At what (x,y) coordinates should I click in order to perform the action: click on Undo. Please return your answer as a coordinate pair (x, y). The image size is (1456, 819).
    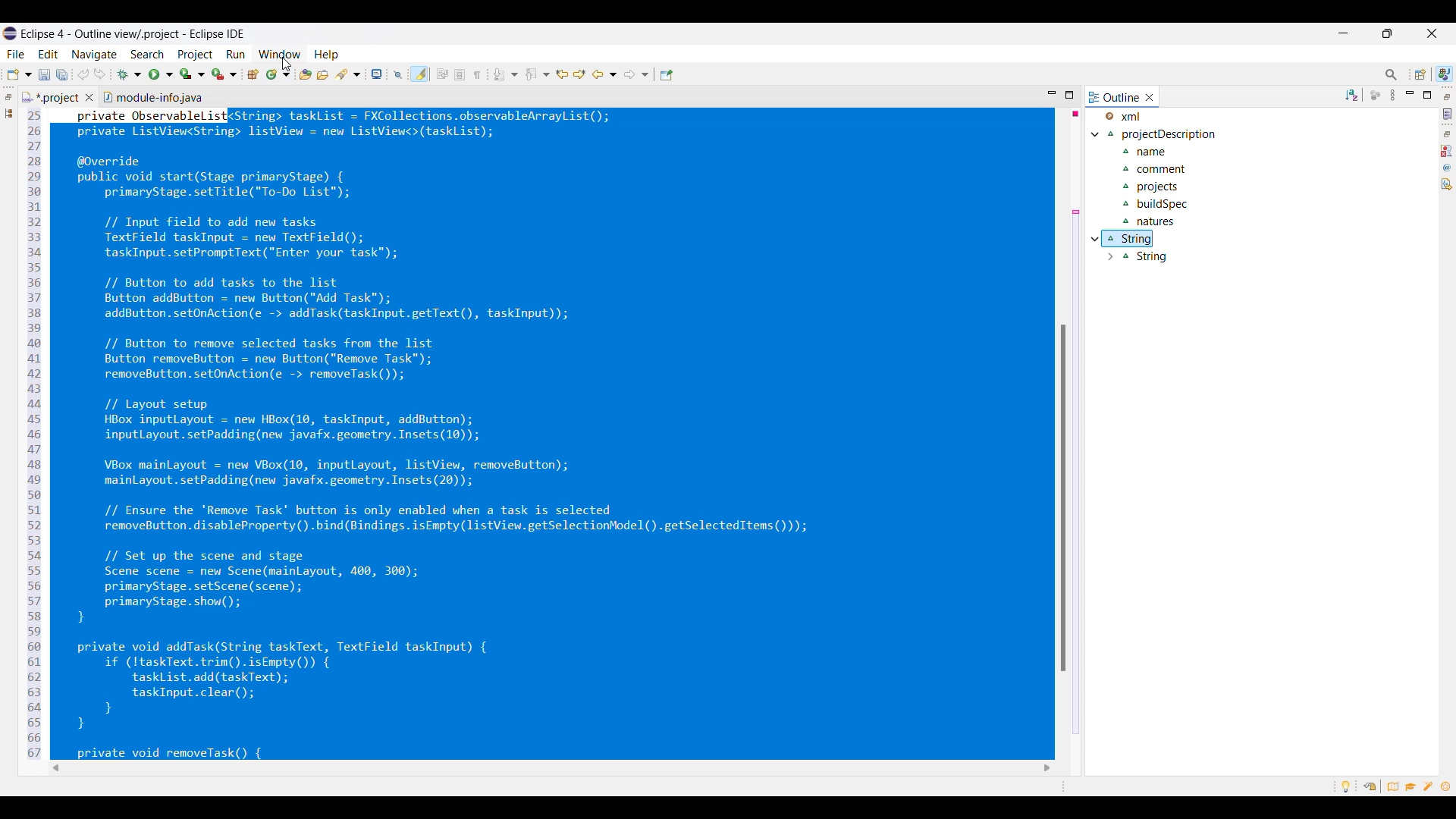
    Looking at the image, I should click on (83, 74).